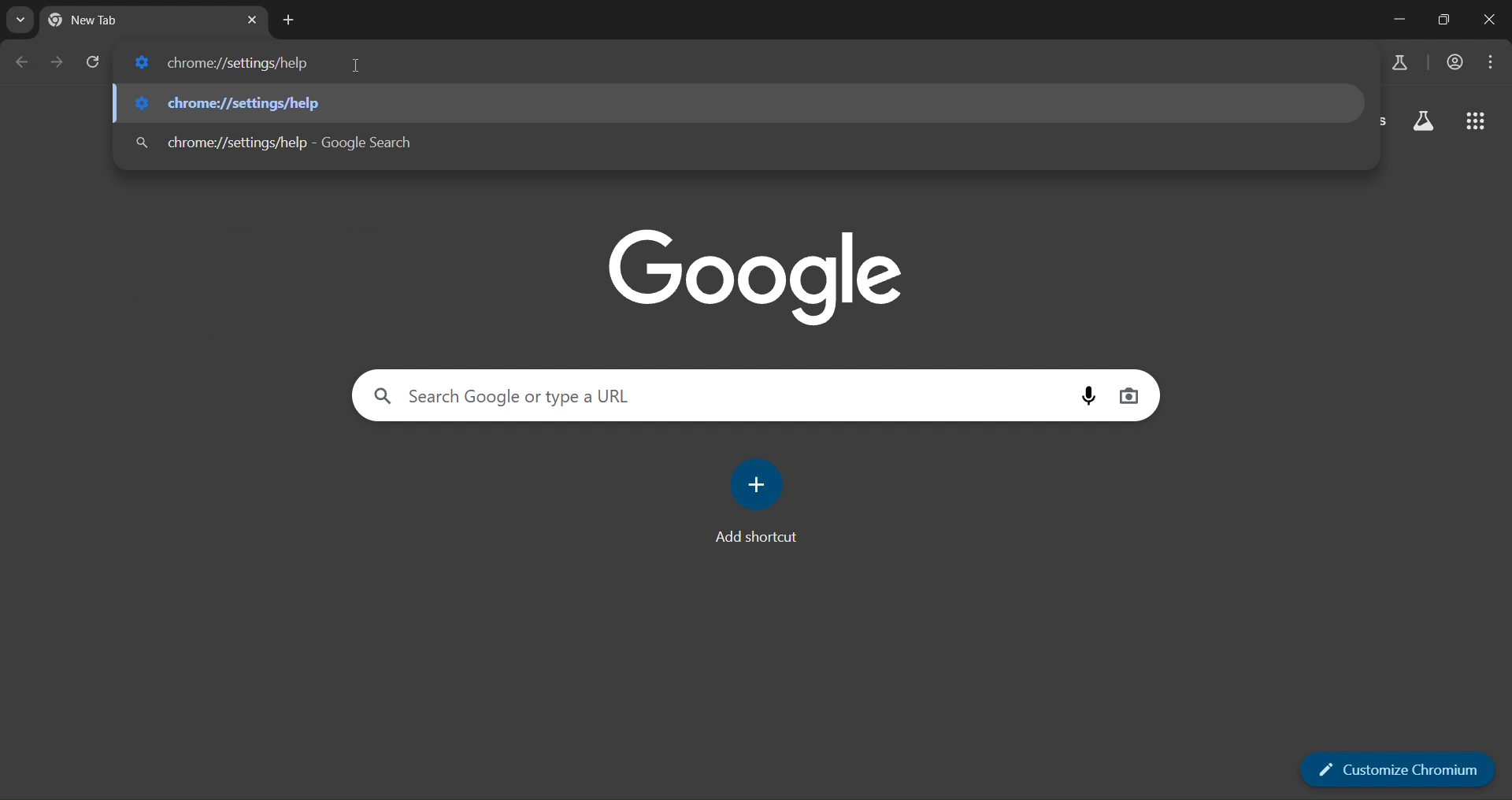  I want to click on reload page, so click(95, 62).